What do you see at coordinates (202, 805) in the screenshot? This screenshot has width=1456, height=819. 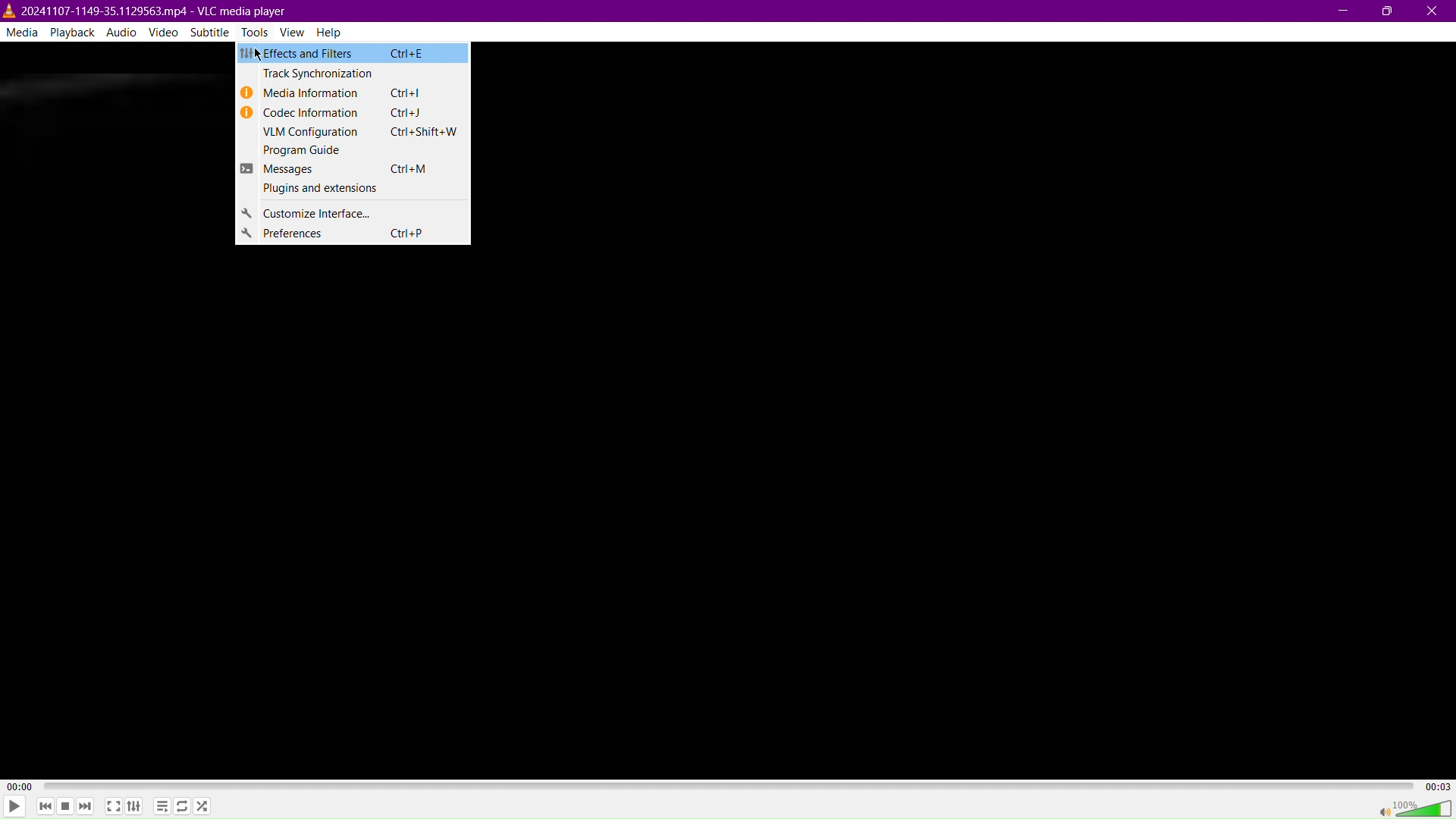 I see `Random` at bounding box center [202, 805].